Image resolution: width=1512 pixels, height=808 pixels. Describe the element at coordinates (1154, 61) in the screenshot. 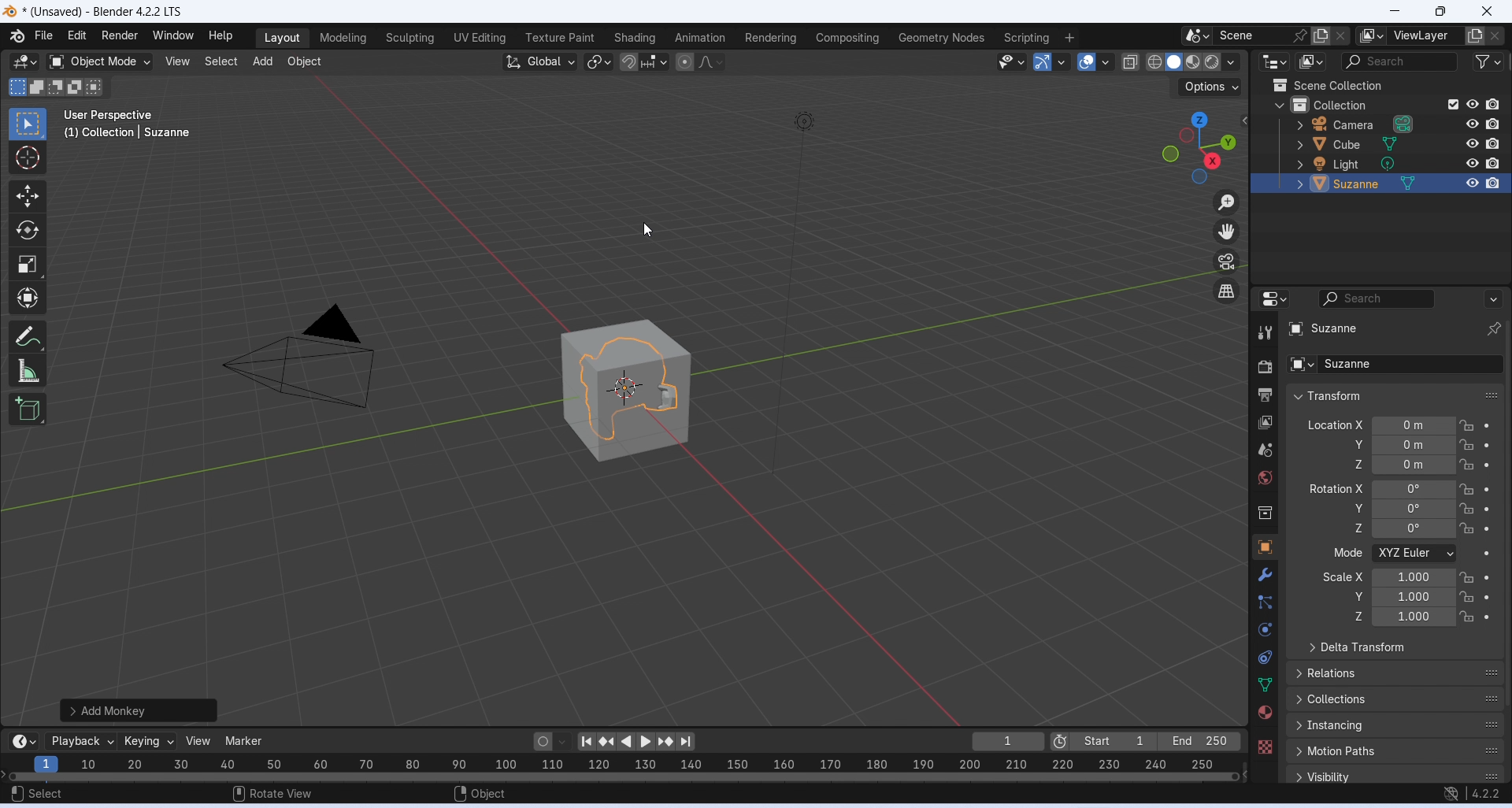

I see `wireframe viewport shading` at that location.